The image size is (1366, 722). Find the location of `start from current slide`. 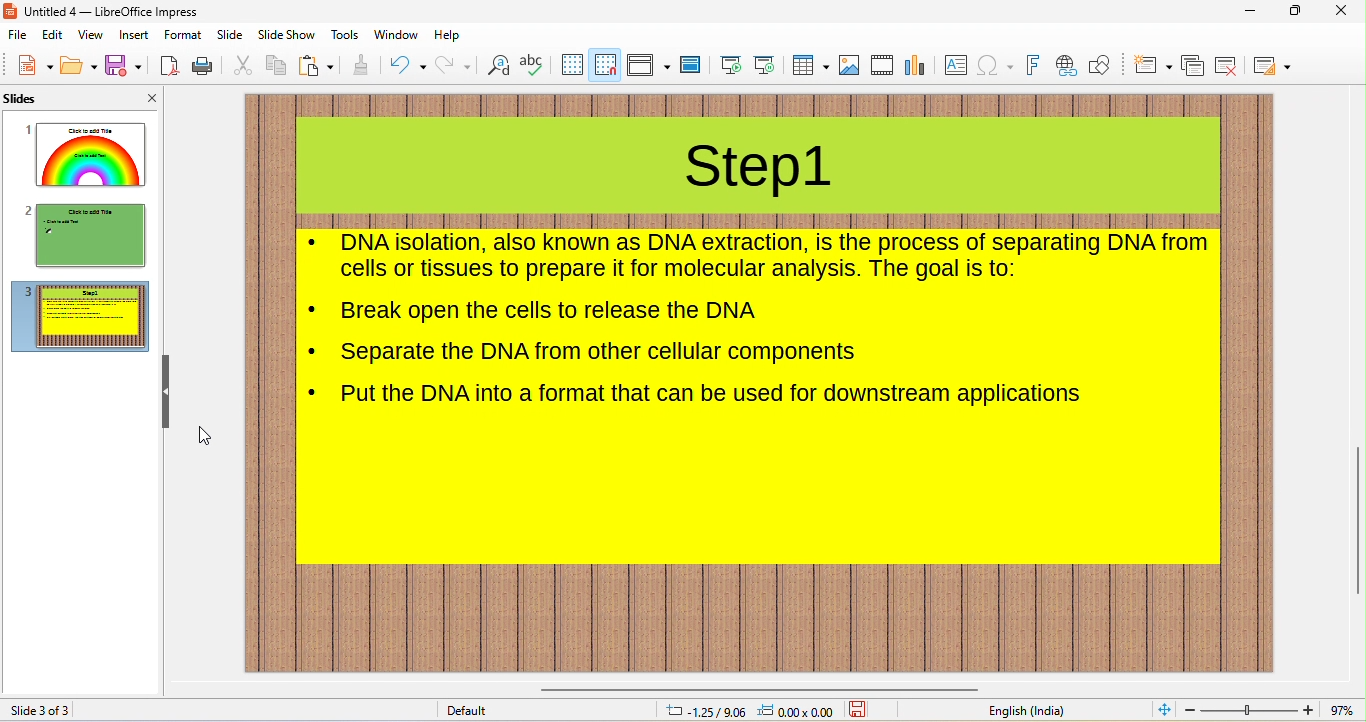

start from current slide is located at coordinates (764, 65).